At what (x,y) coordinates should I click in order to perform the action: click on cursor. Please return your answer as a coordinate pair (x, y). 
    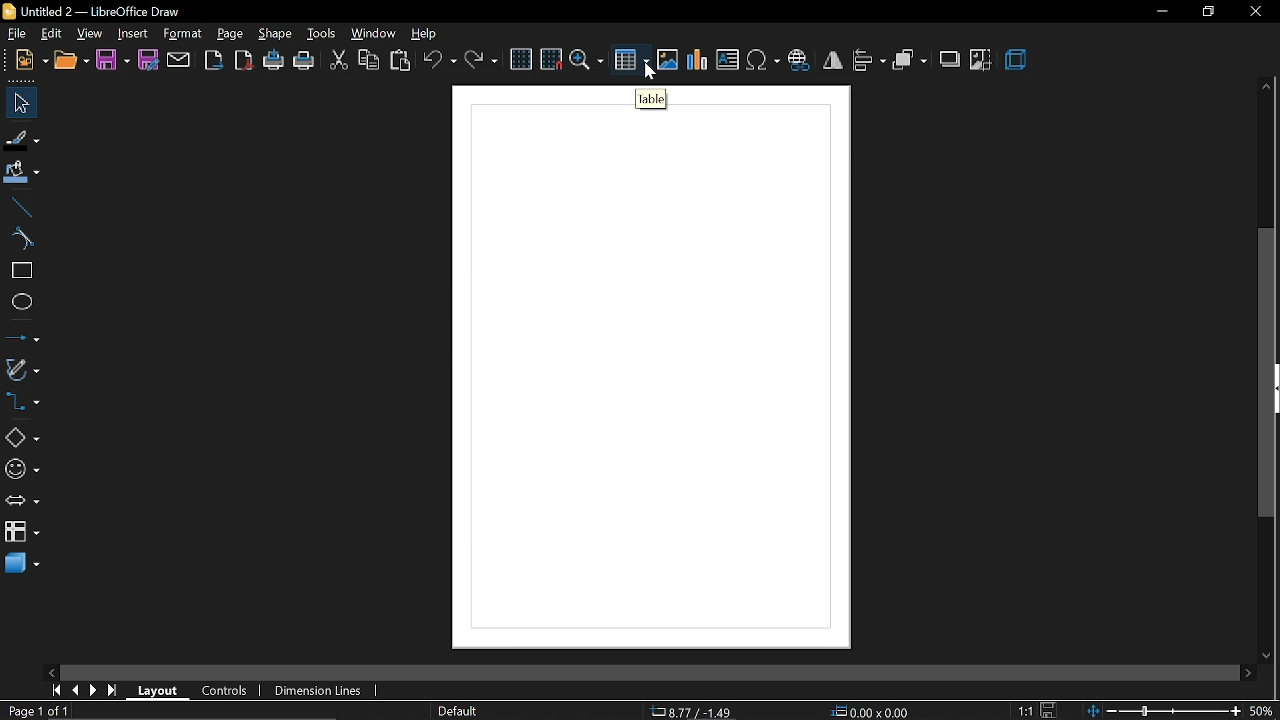
    Looking at the image, I should click on (654, 73).